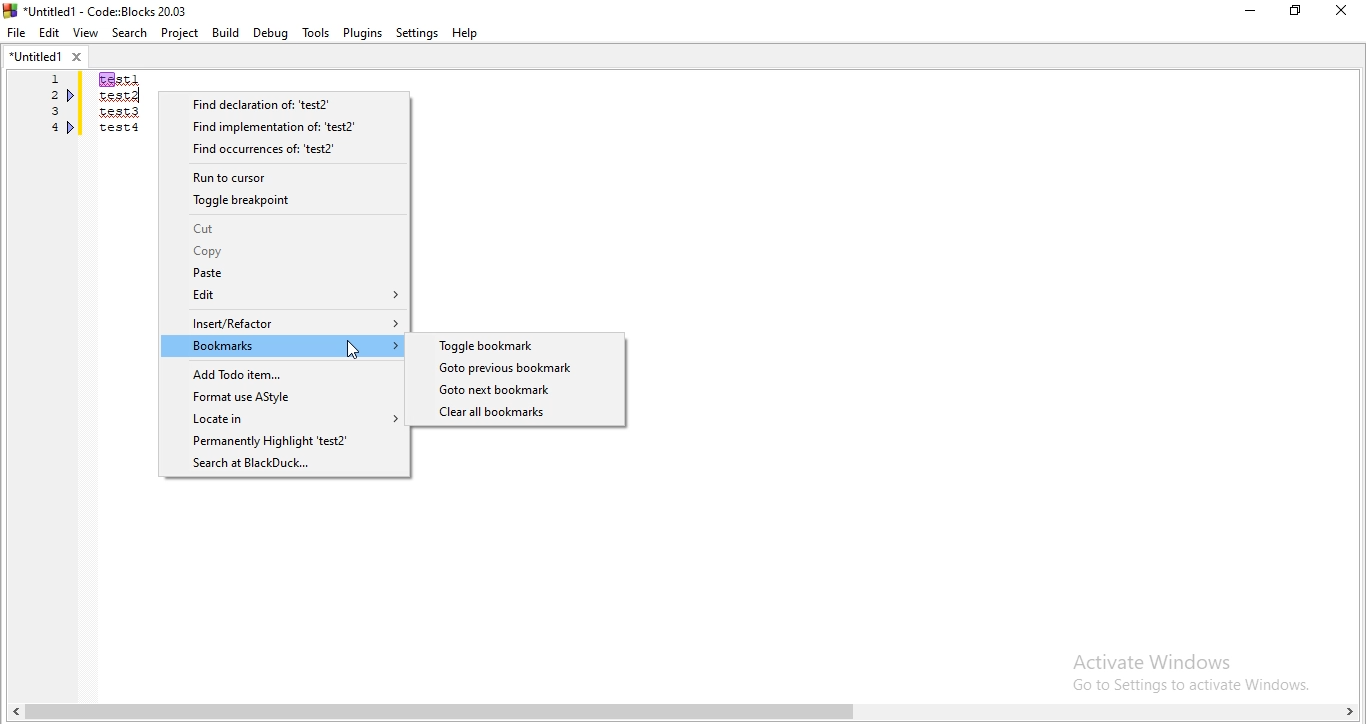  I want to click on Edit, so click(282, 296).